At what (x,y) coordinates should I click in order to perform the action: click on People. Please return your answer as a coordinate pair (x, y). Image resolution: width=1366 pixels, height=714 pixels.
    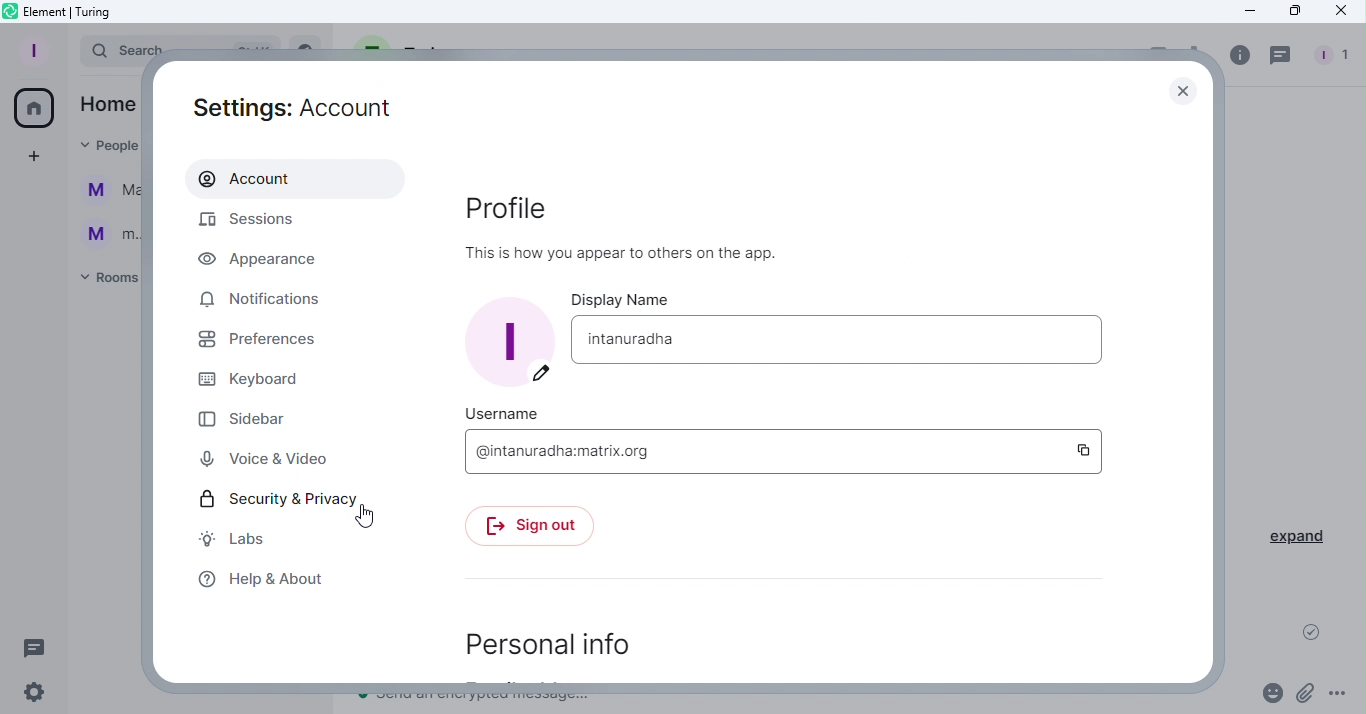
    Looking at the image, I should click on (1337, 52).